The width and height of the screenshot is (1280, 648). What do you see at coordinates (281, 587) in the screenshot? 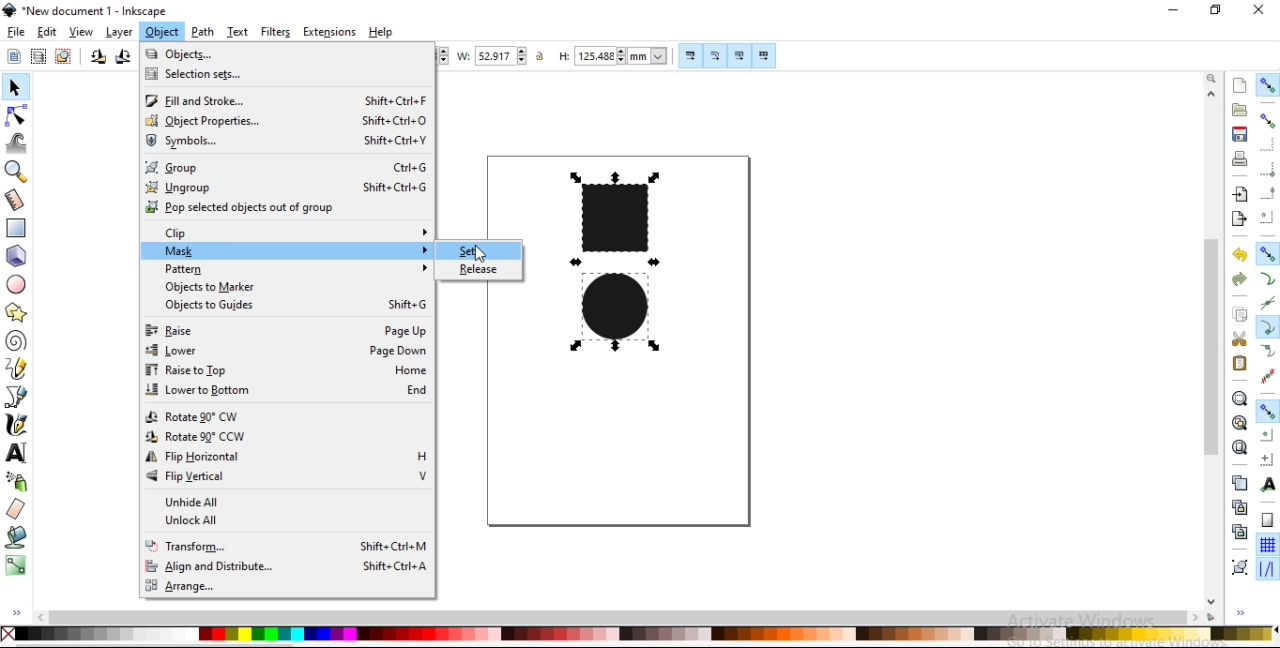
I see `range` at bounding box center [281, 587].